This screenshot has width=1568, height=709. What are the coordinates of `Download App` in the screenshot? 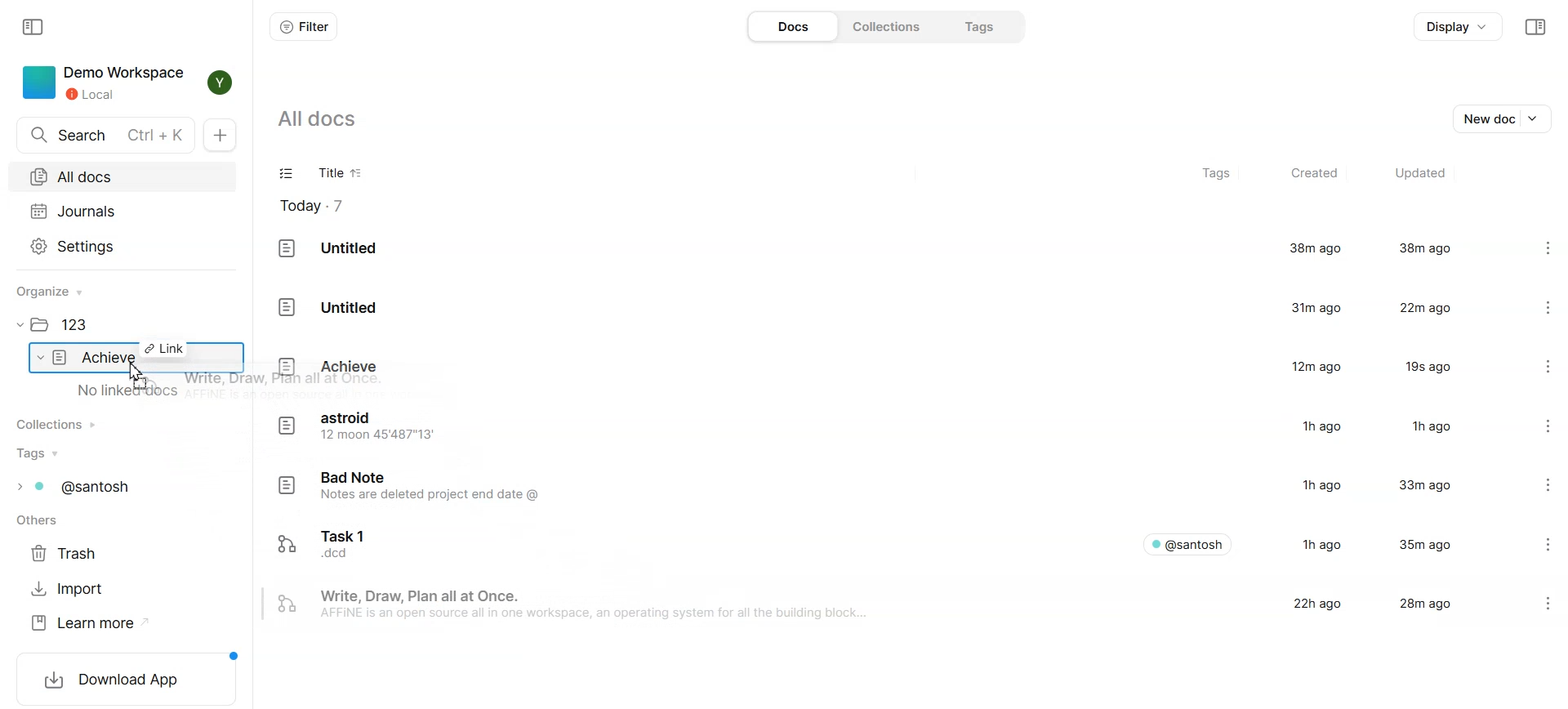 It's located at (127, 677).